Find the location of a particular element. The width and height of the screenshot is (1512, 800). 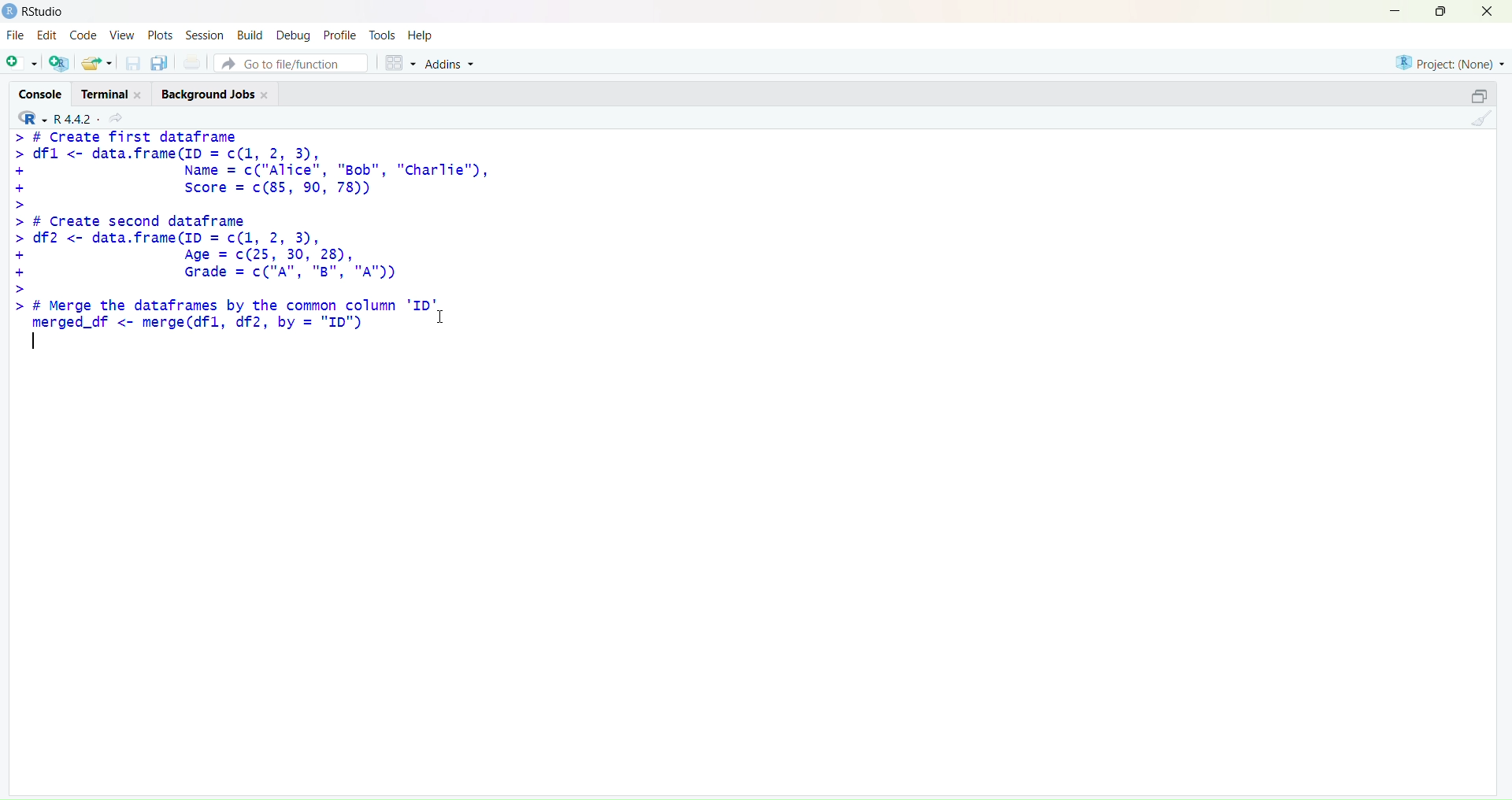

share current directory is located at coordinates (116, 119).